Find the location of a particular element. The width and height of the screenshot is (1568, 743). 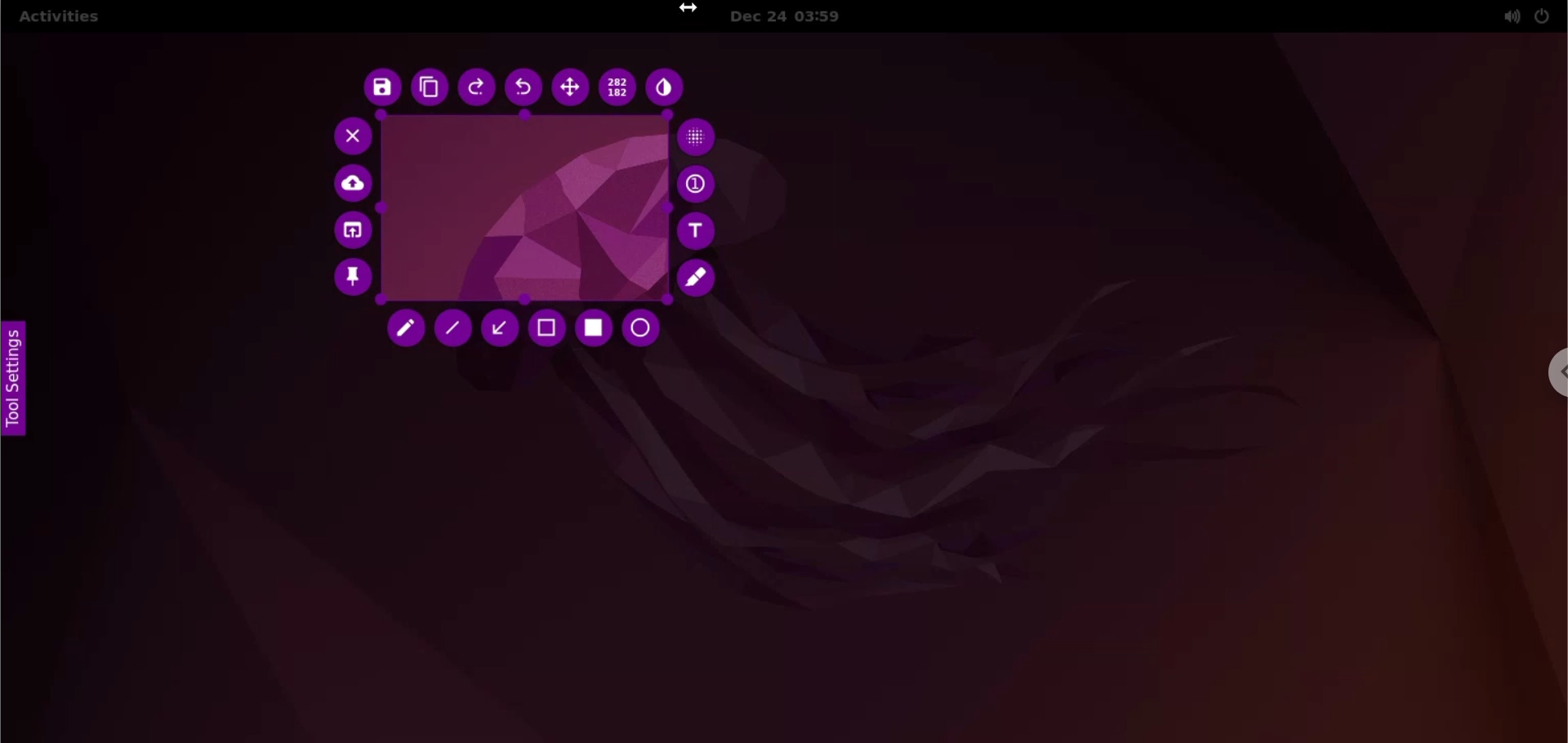

Activities is located at coordinates (57, 17).